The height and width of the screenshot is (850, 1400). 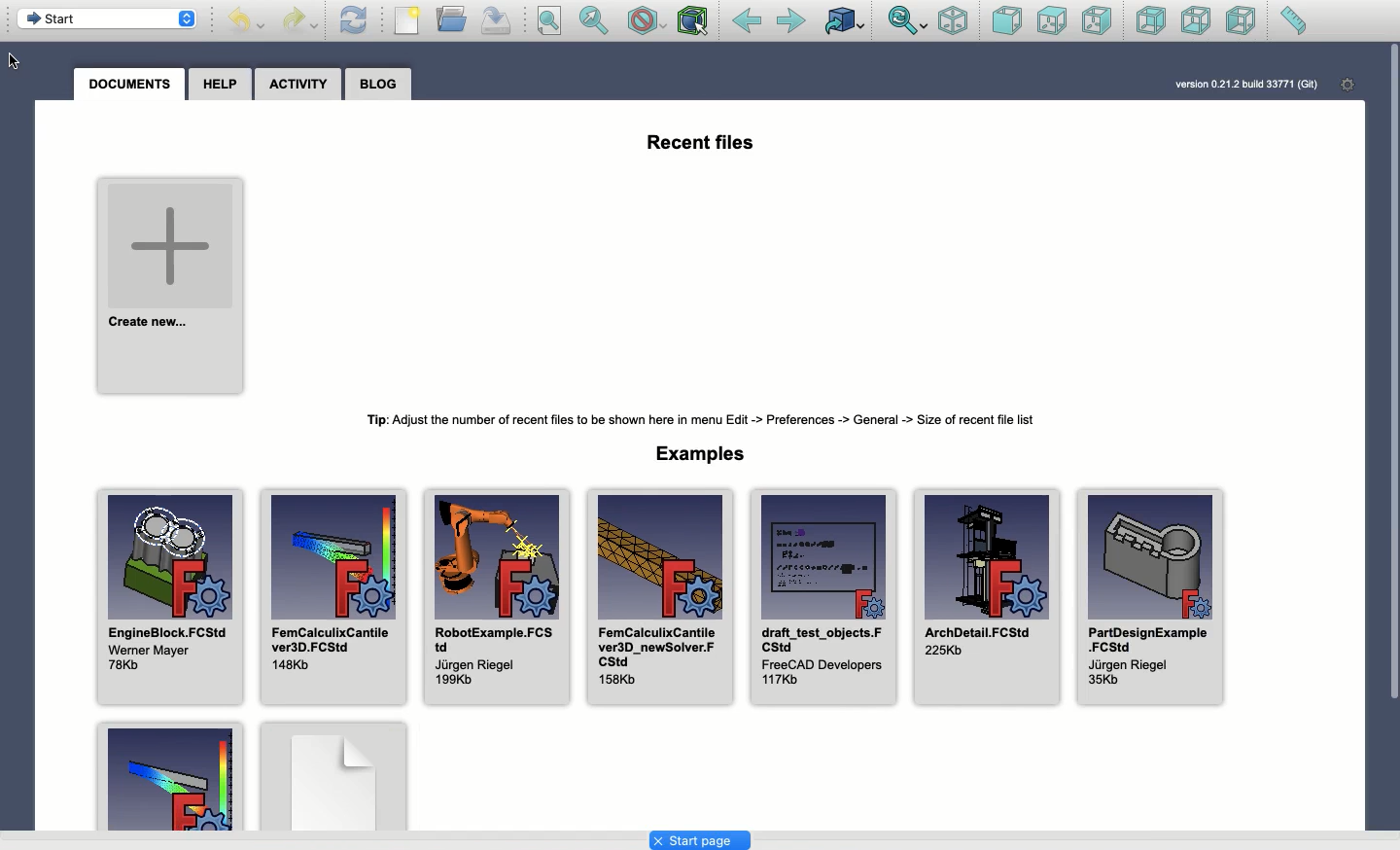 What do you see at coordinates (661, 598) in the screenshot?
I see `FemCalculixCantilever3D_ newSolver. FCStd` at bounding box center [661, 598].